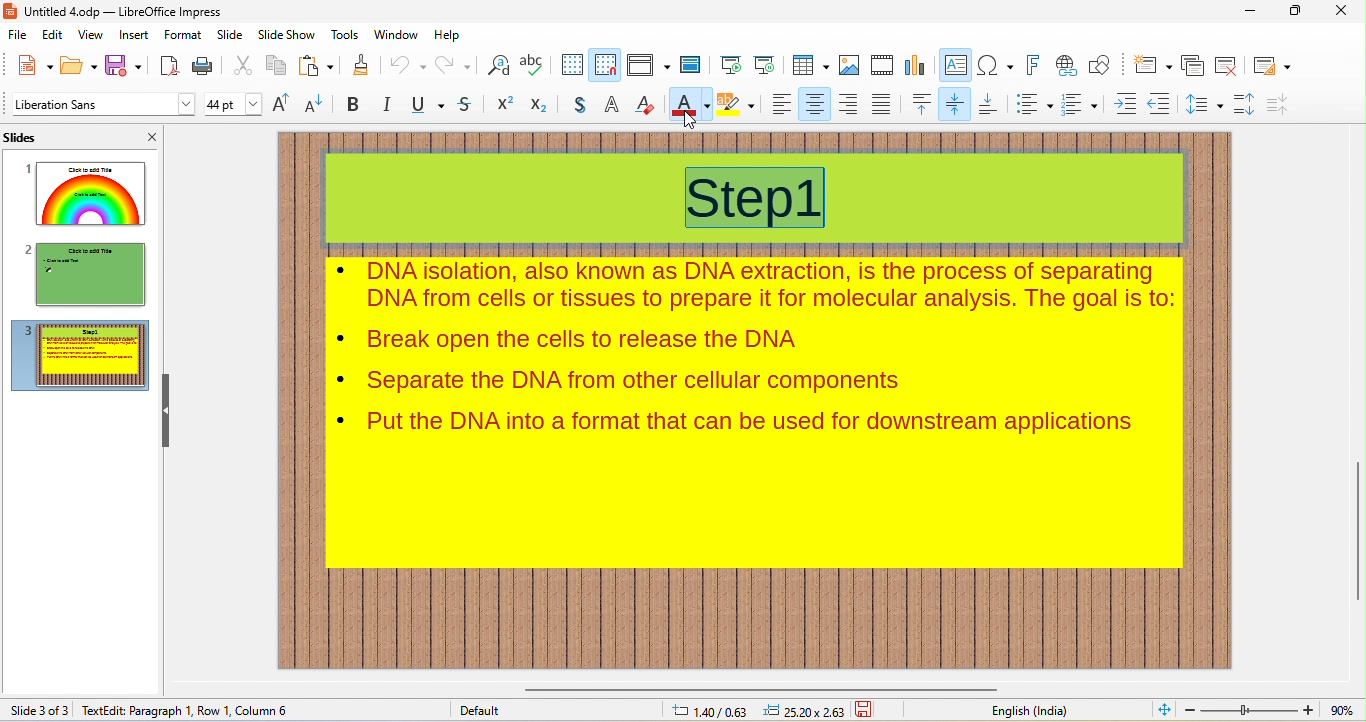 This screenshot has width=1366, height=722. What do you see at coordinates (1083, 104) in the screenshot?
I see `numbered` at bounding box center [1083, 104].